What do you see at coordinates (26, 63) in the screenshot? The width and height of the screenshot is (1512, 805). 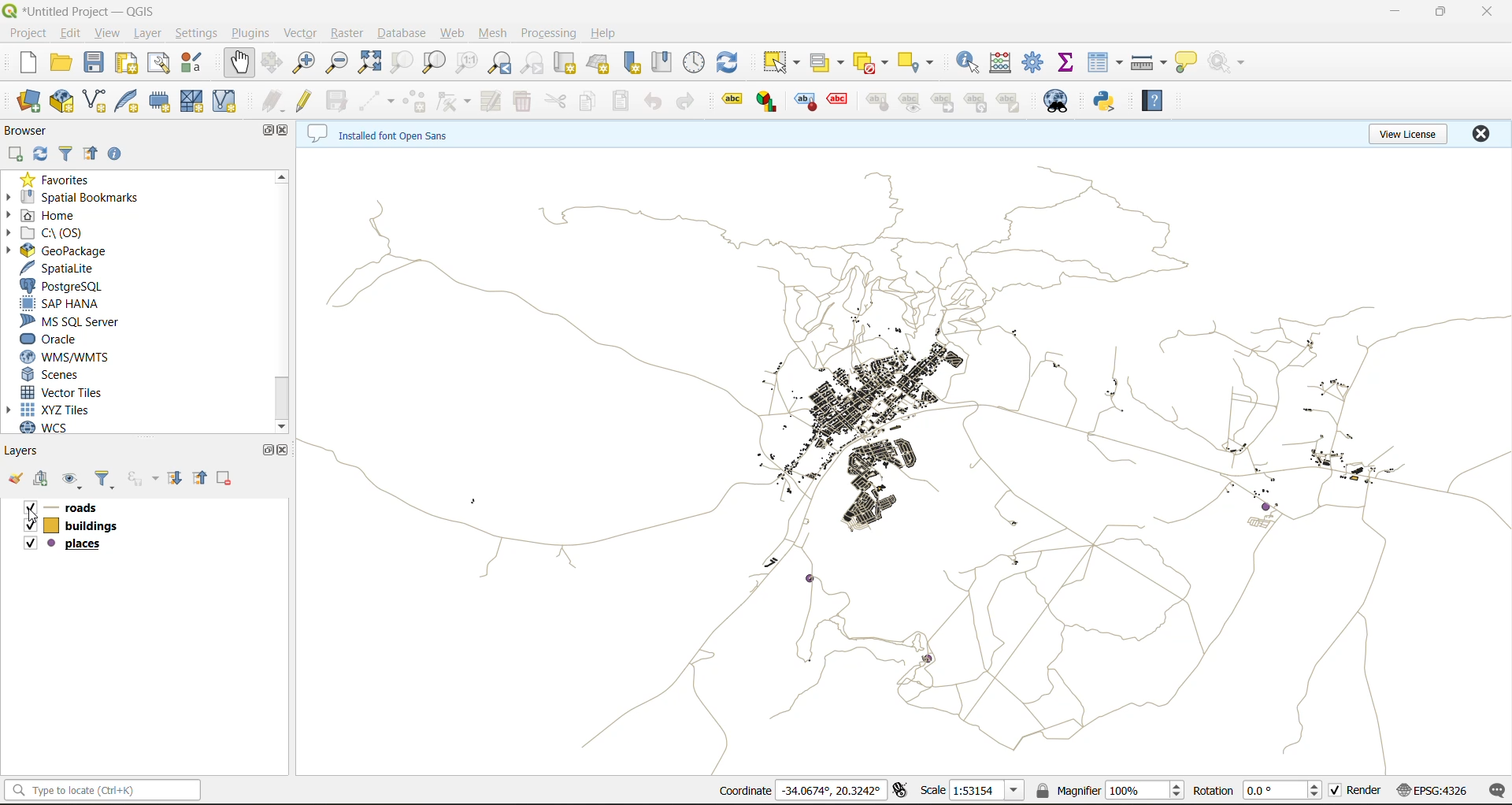 I see `new` at bounding box center [26, 63].